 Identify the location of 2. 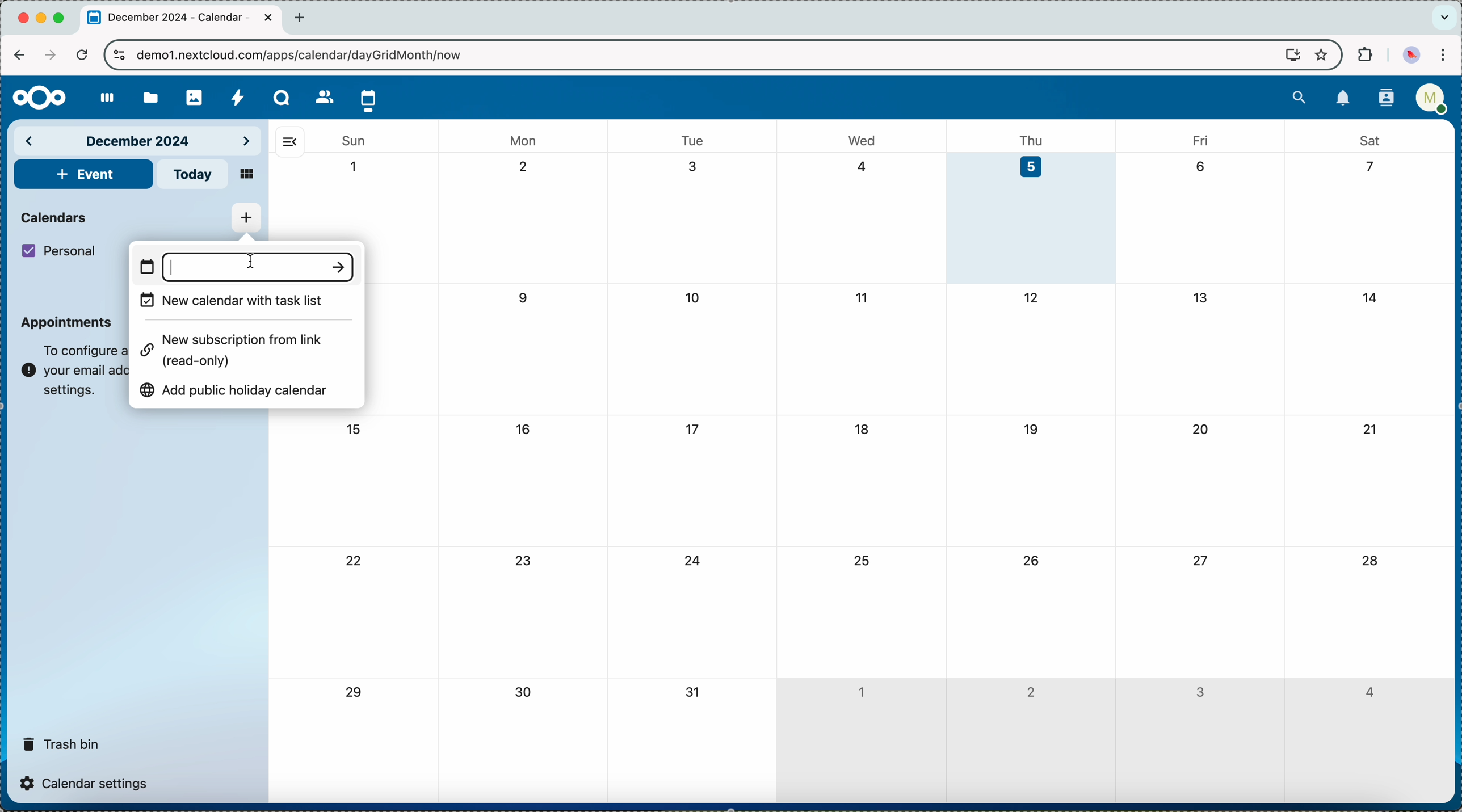
(1031, 691).